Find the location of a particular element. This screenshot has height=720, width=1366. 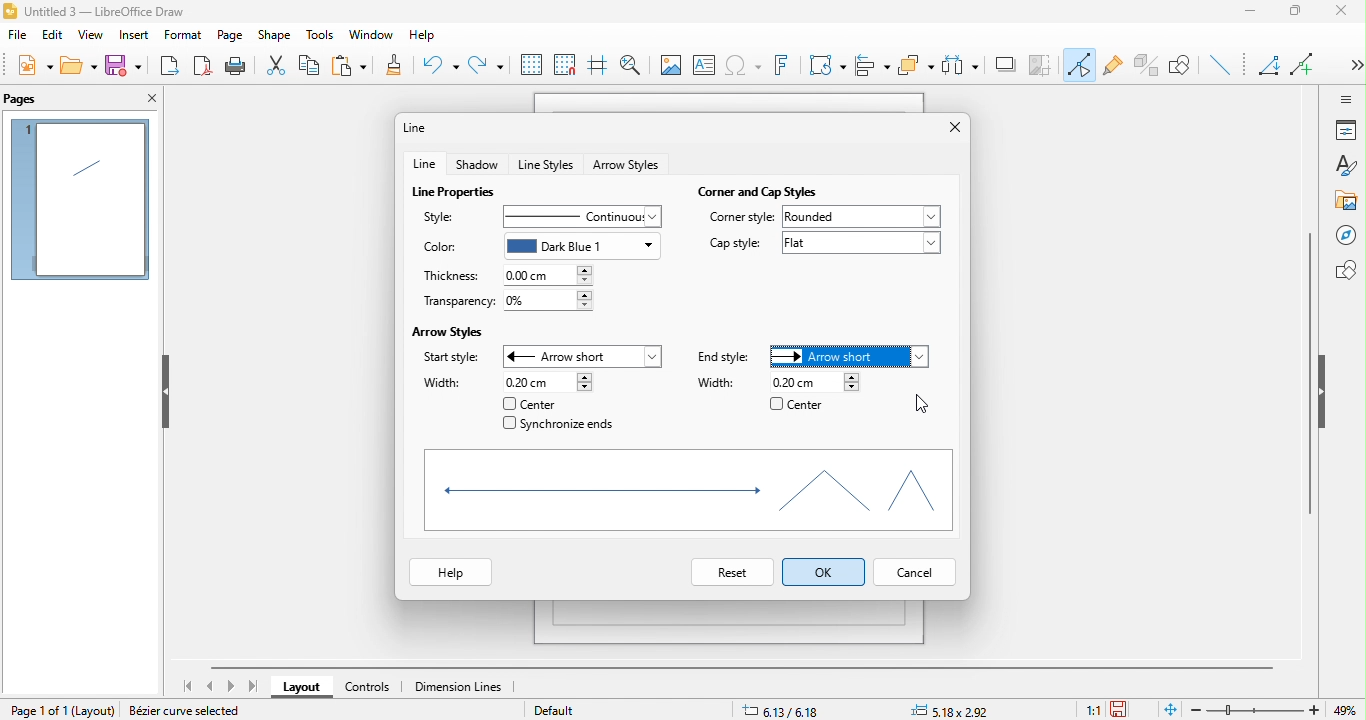

thickness is located at coordinates (456, 275).